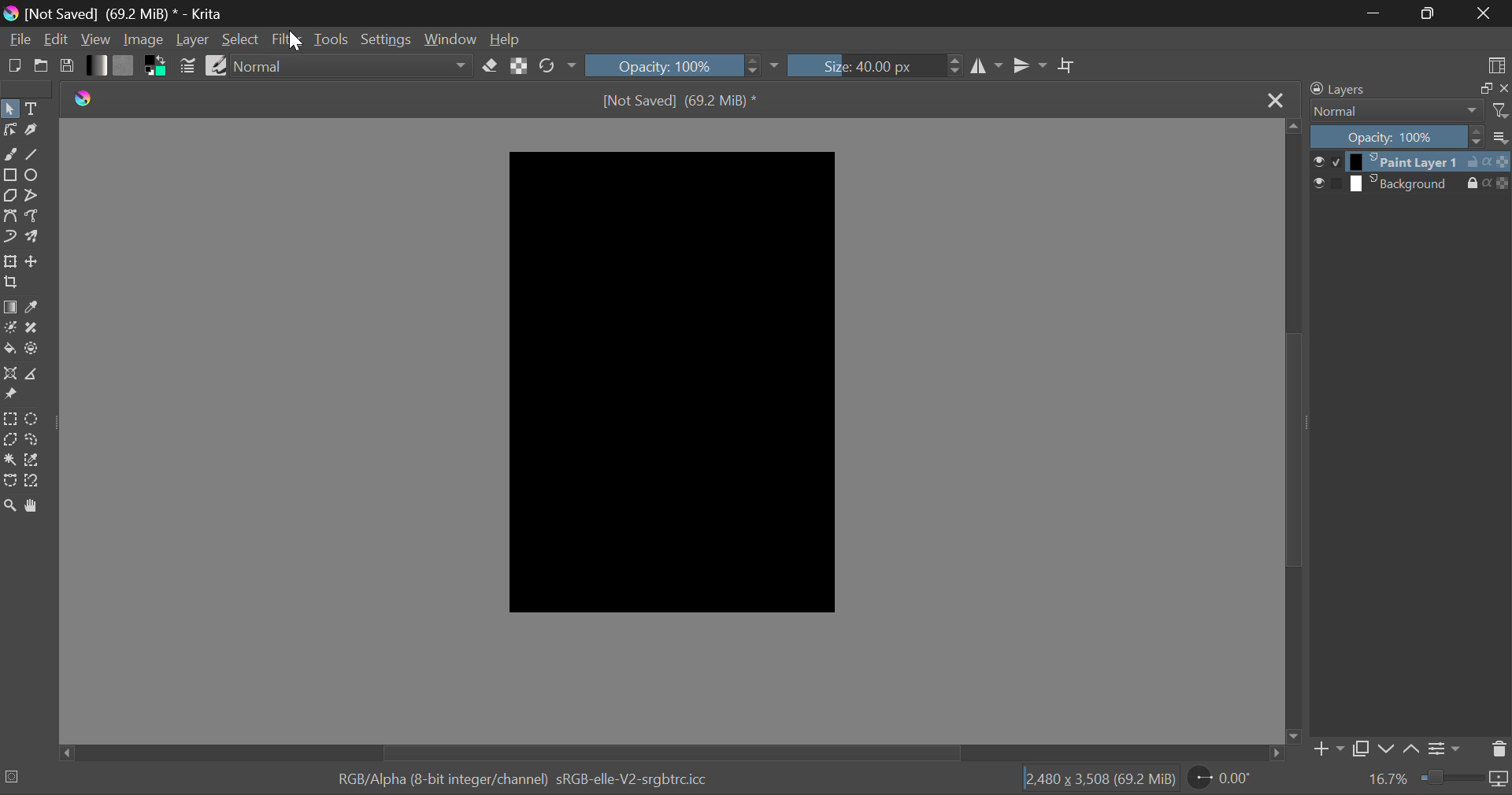  Describe the element at coordinates (10, 418) in the screenshot. I see `Rectangular Selection` at that location.